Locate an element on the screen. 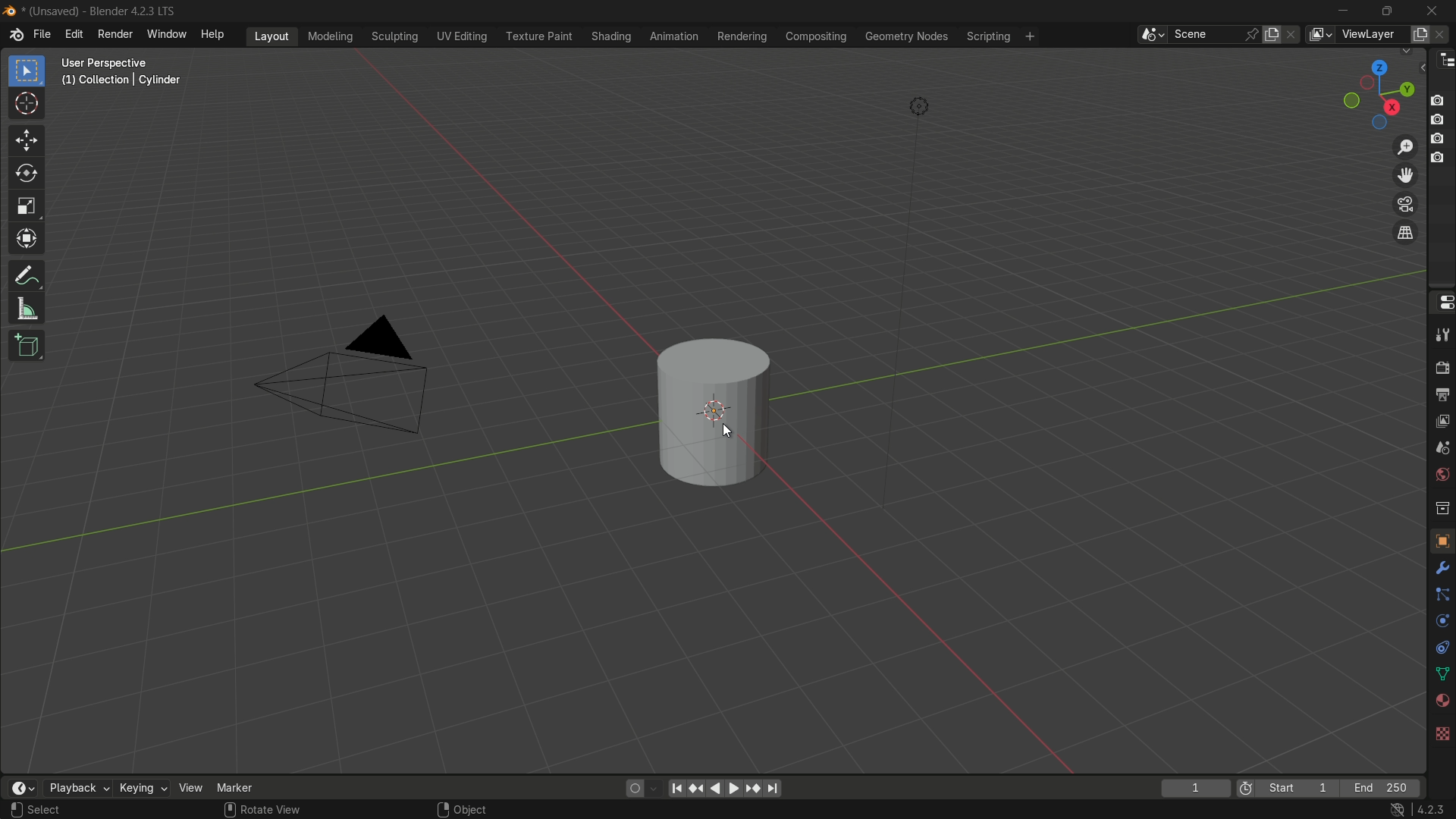  left click is located at coordinates (17, 811).